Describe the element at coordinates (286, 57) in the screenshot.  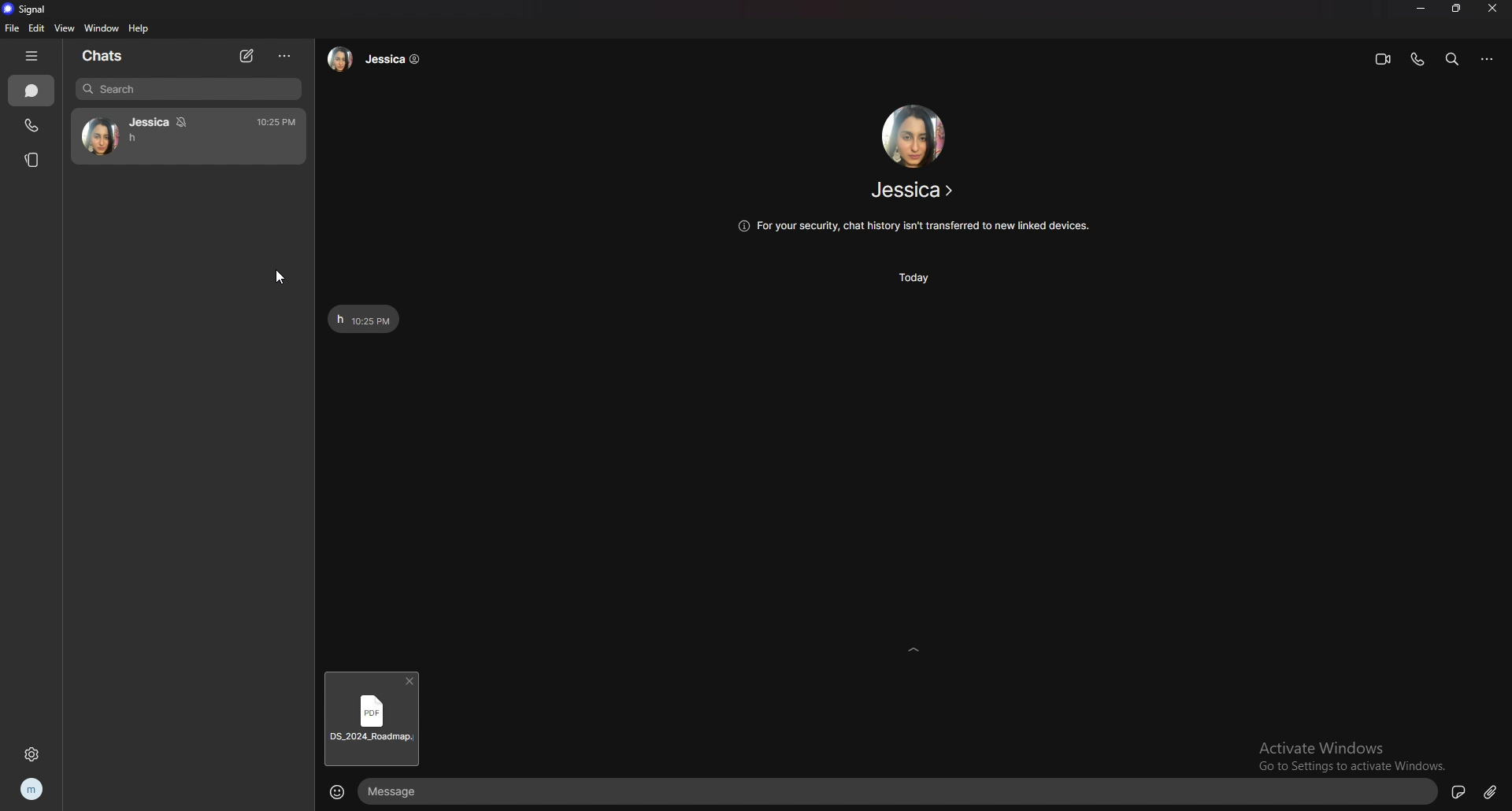
I see `options` at that location.